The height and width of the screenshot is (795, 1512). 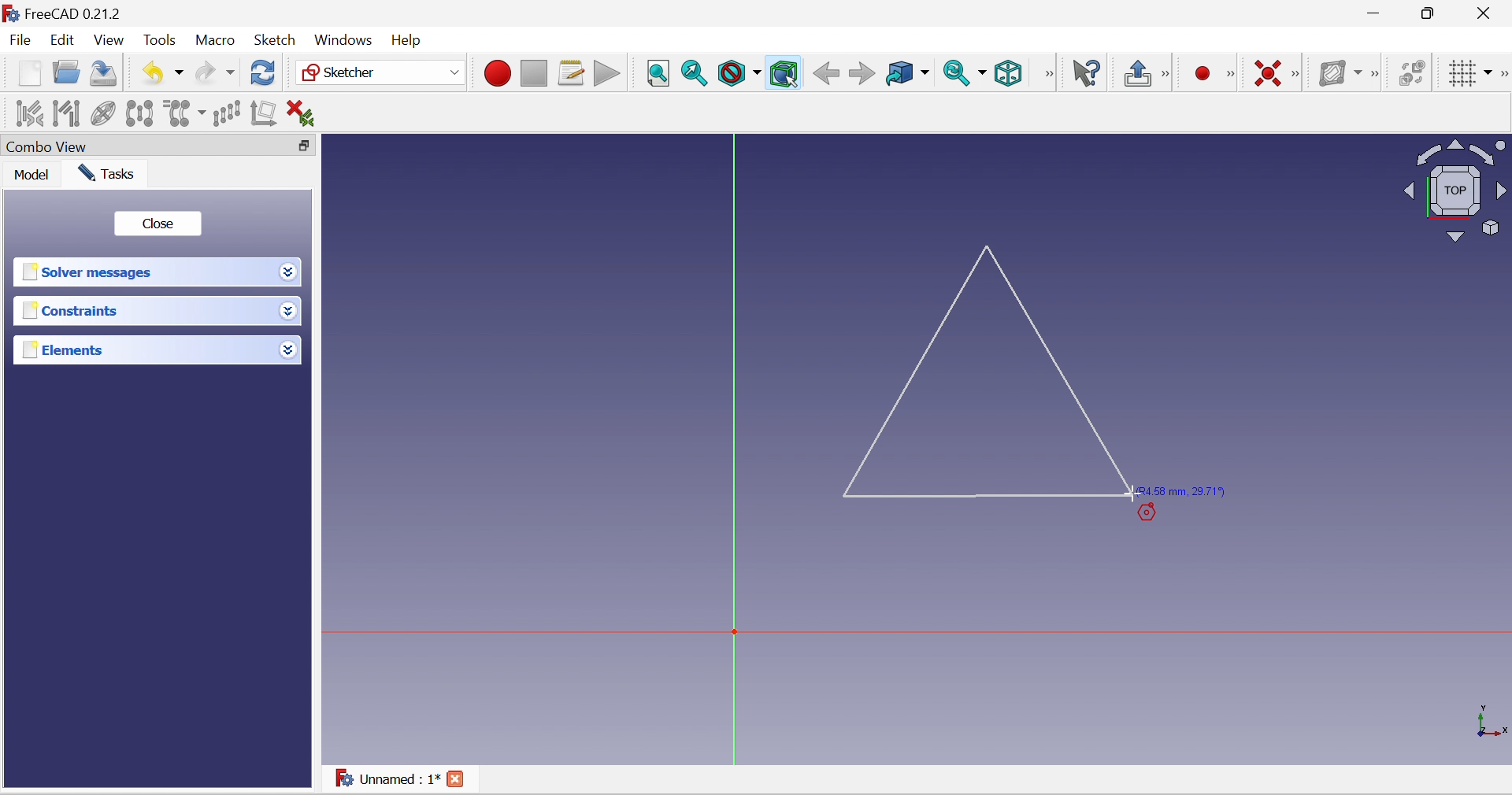 What do you see at coordinates (1295, 75) in the screenshot?
I see `[Sketcher constraints]` at bounding box center [1295, 75].